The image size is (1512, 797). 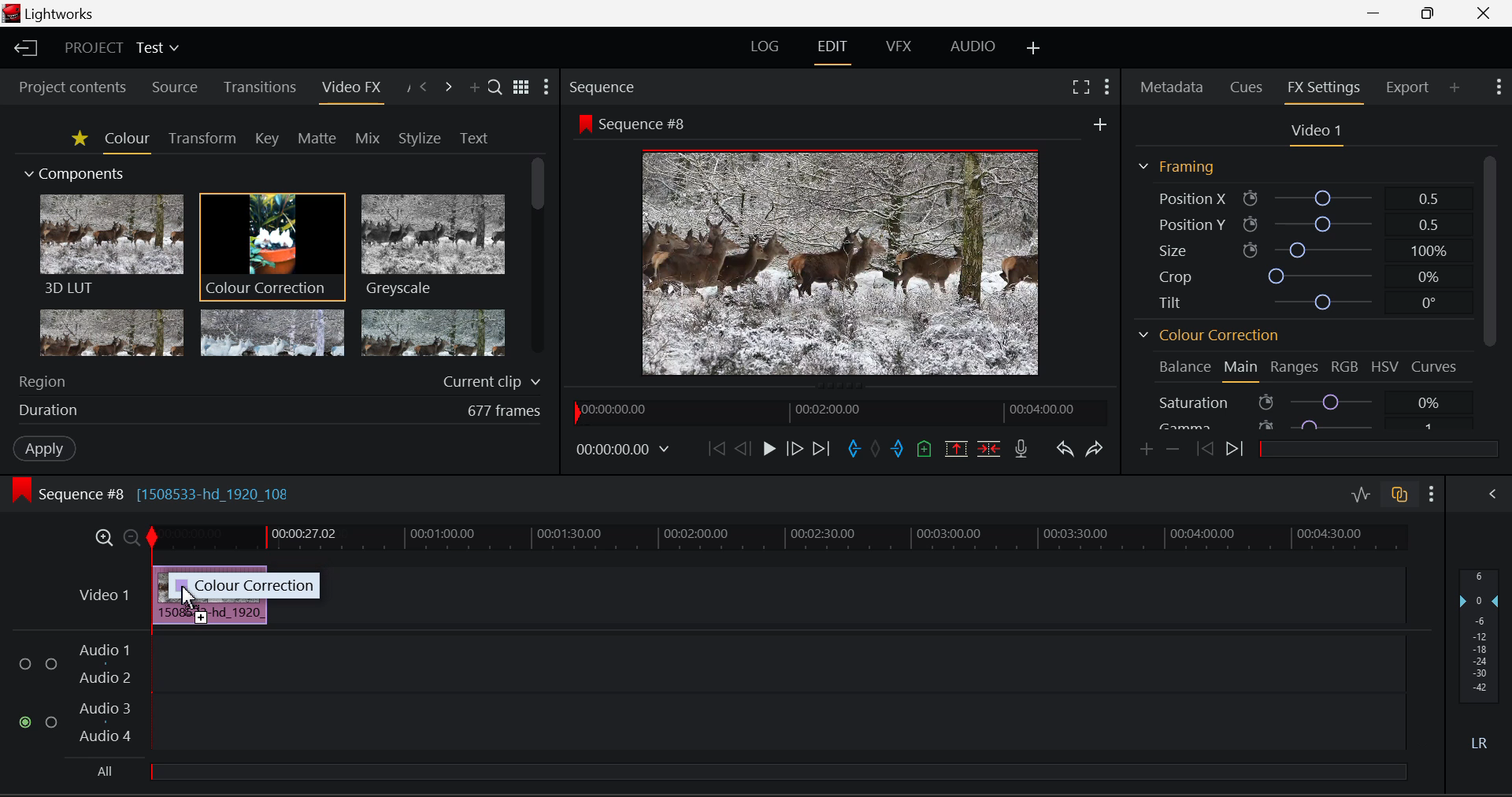 What do you see at coordinates (110, 243) in the screenshot?
I see `3D LUT` at bounding box center [110, 243].